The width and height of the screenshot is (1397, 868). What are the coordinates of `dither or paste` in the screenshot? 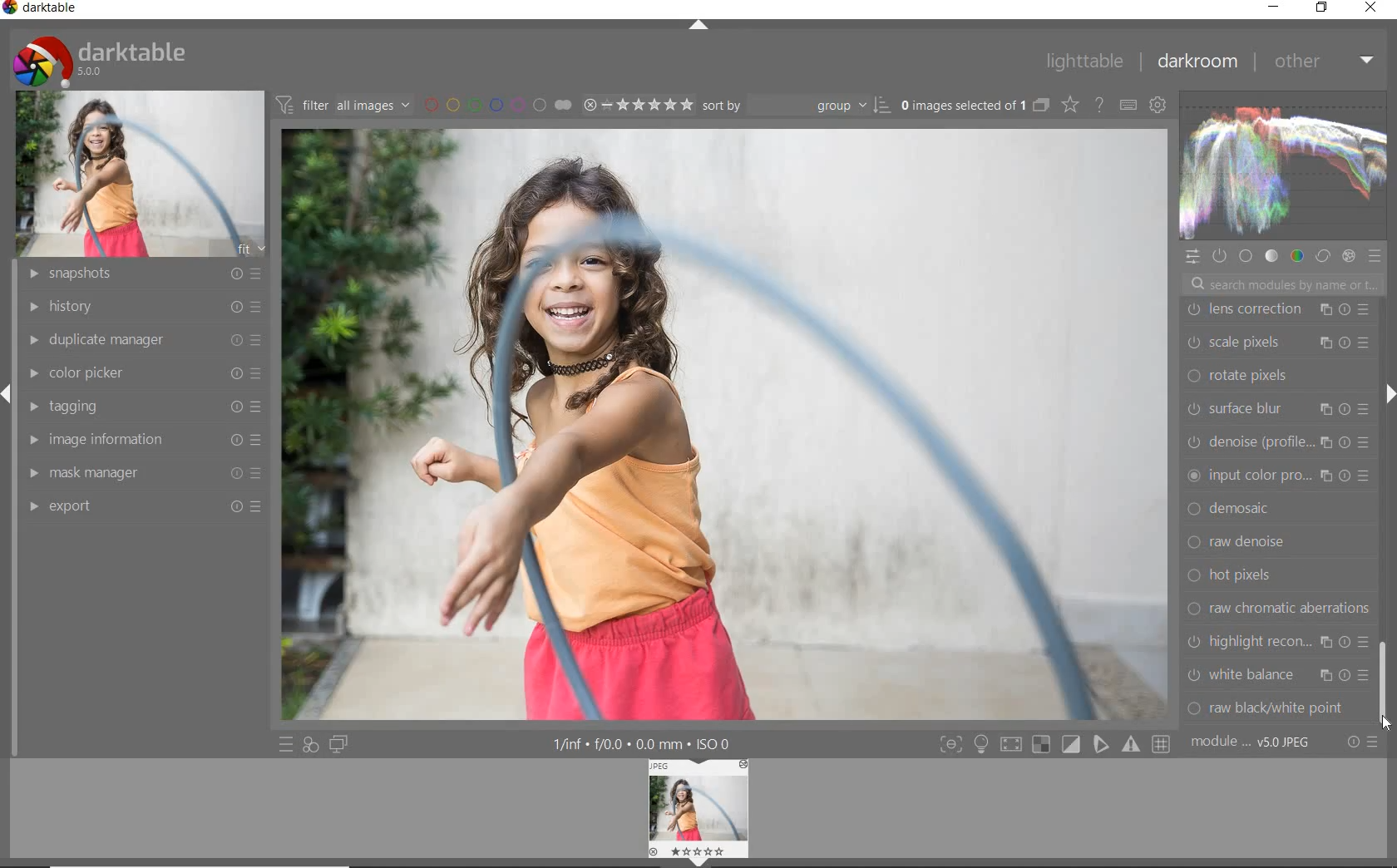 It's located at (1274, 380).